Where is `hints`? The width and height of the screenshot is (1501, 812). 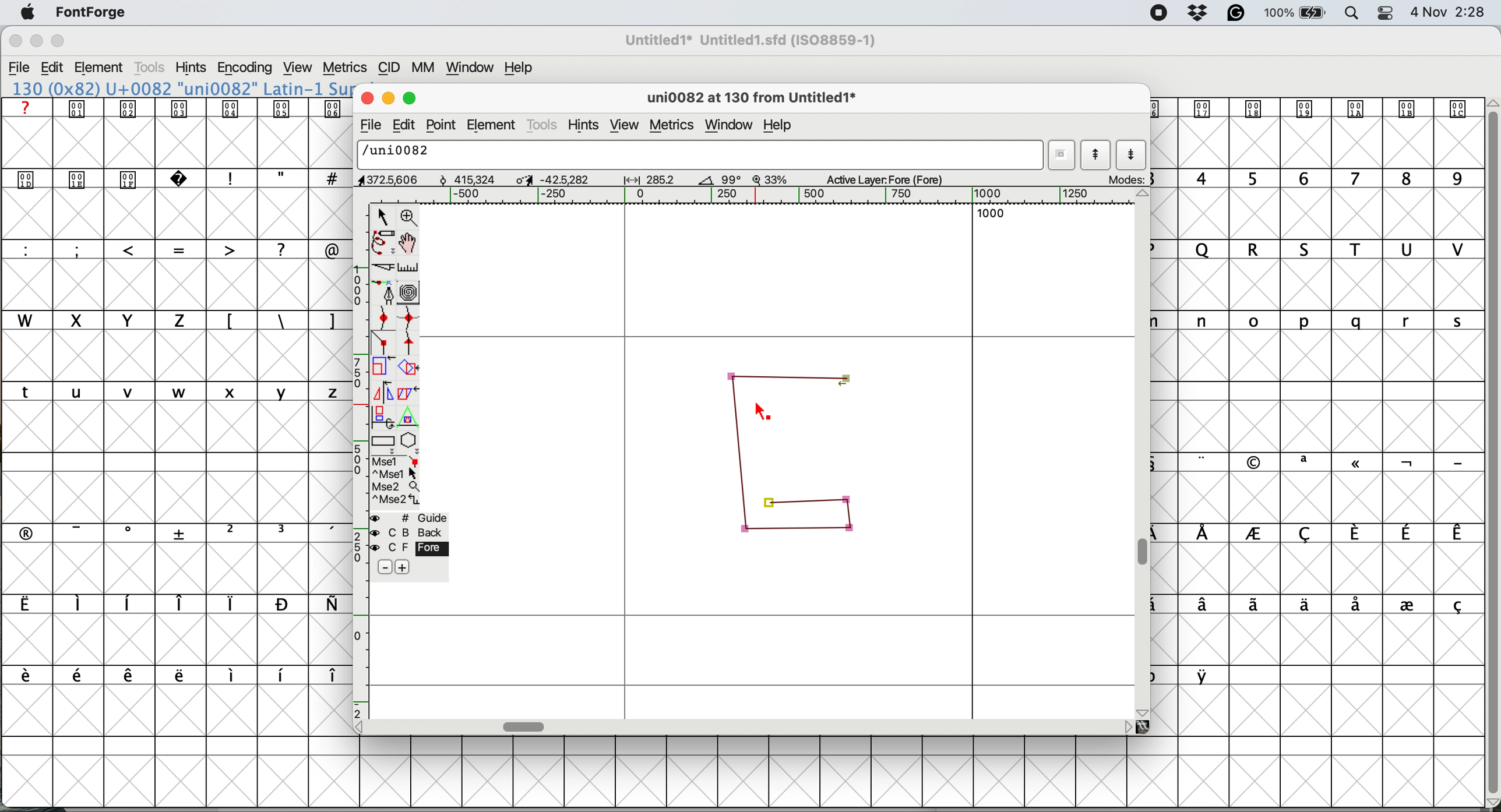
hints is located at coordinates (191, 67).